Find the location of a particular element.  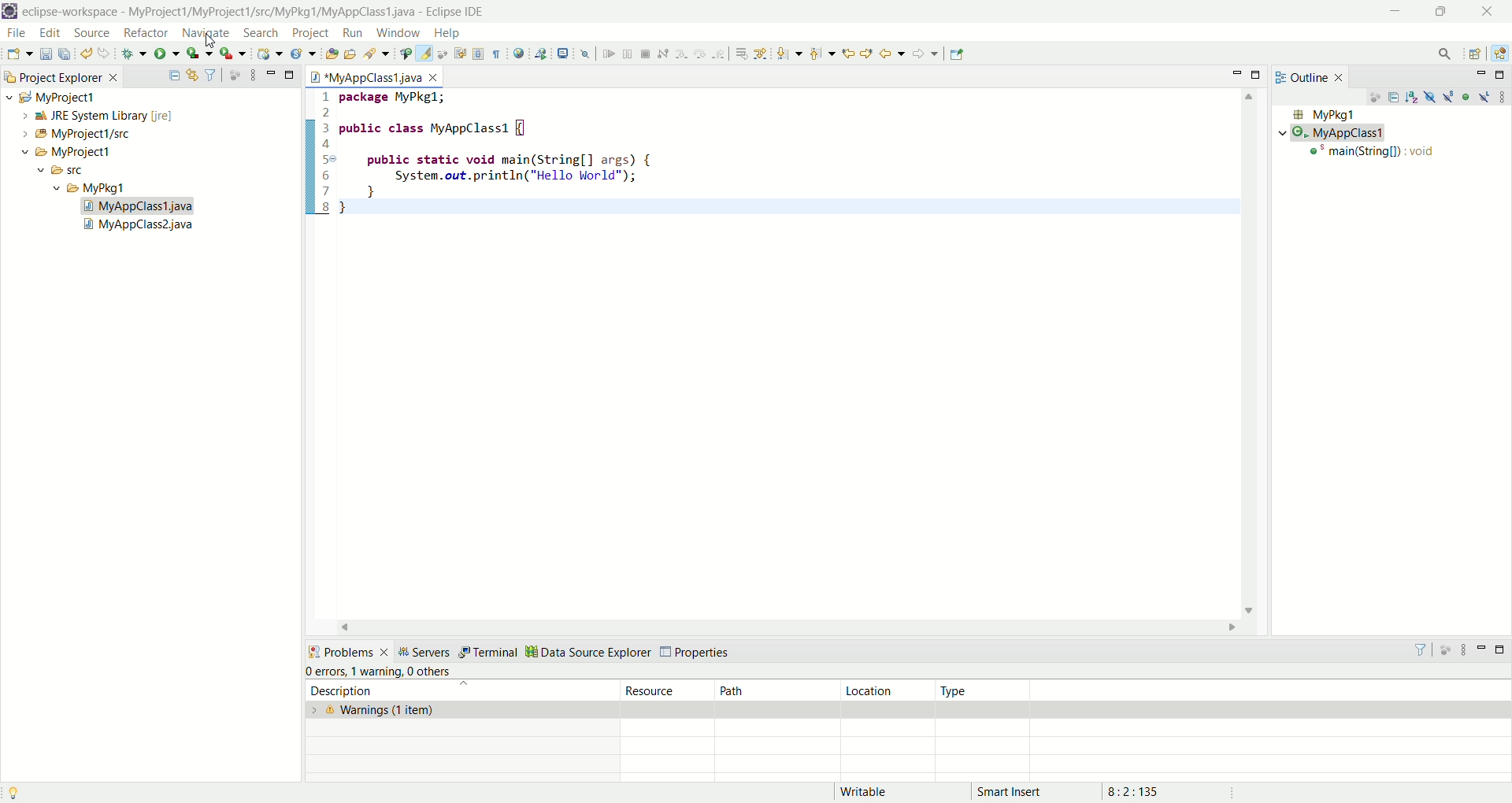

minimize is located at coordinates (1480, 75).